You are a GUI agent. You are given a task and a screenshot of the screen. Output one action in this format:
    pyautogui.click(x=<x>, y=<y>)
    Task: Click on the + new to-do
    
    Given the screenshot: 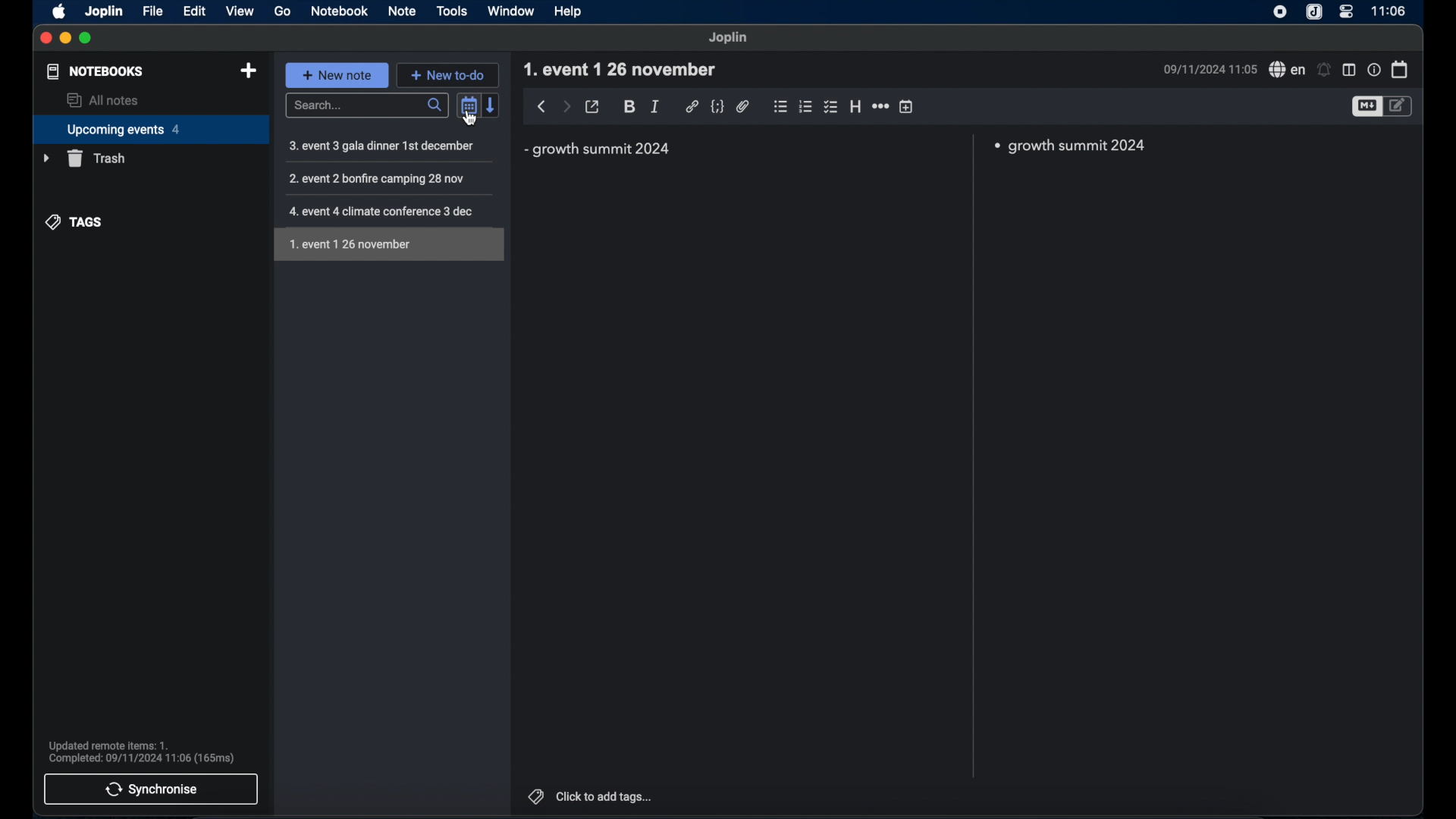 What is the action you would take?
    pyautogui.click(x=447, y=74)
    